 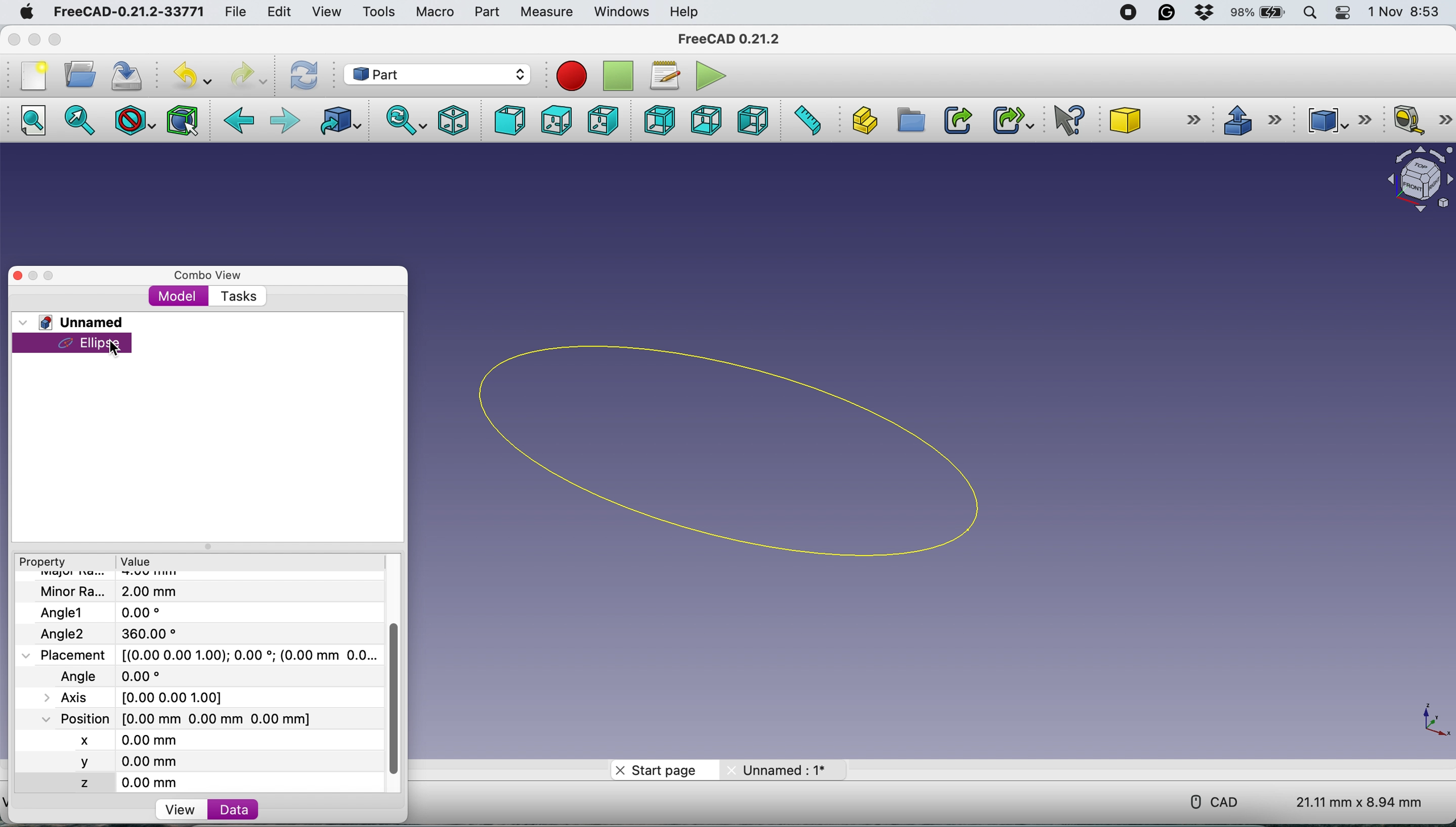 I want to click on top, so click(x=561, y=120).